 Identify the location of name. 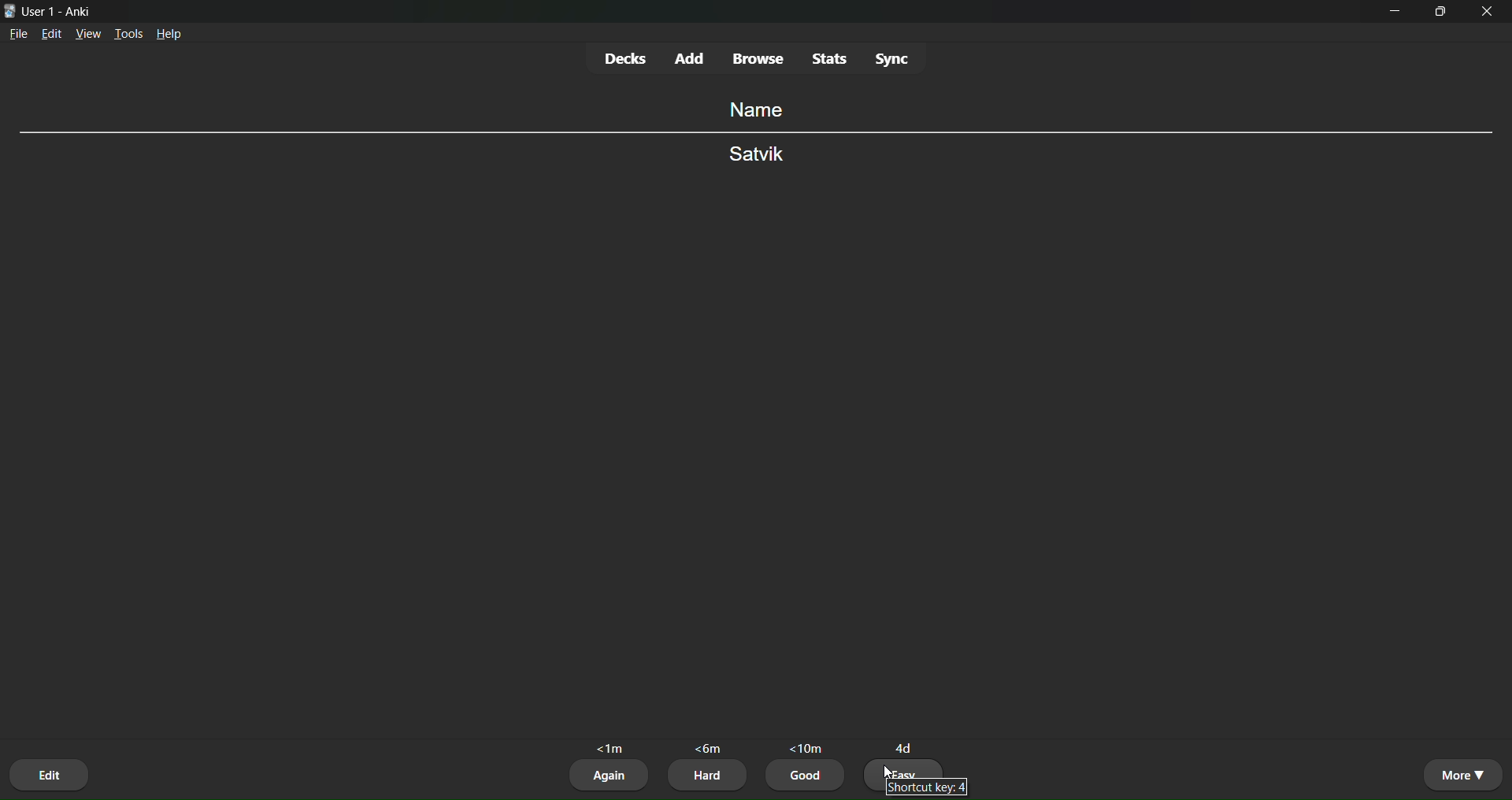
(753, 109).